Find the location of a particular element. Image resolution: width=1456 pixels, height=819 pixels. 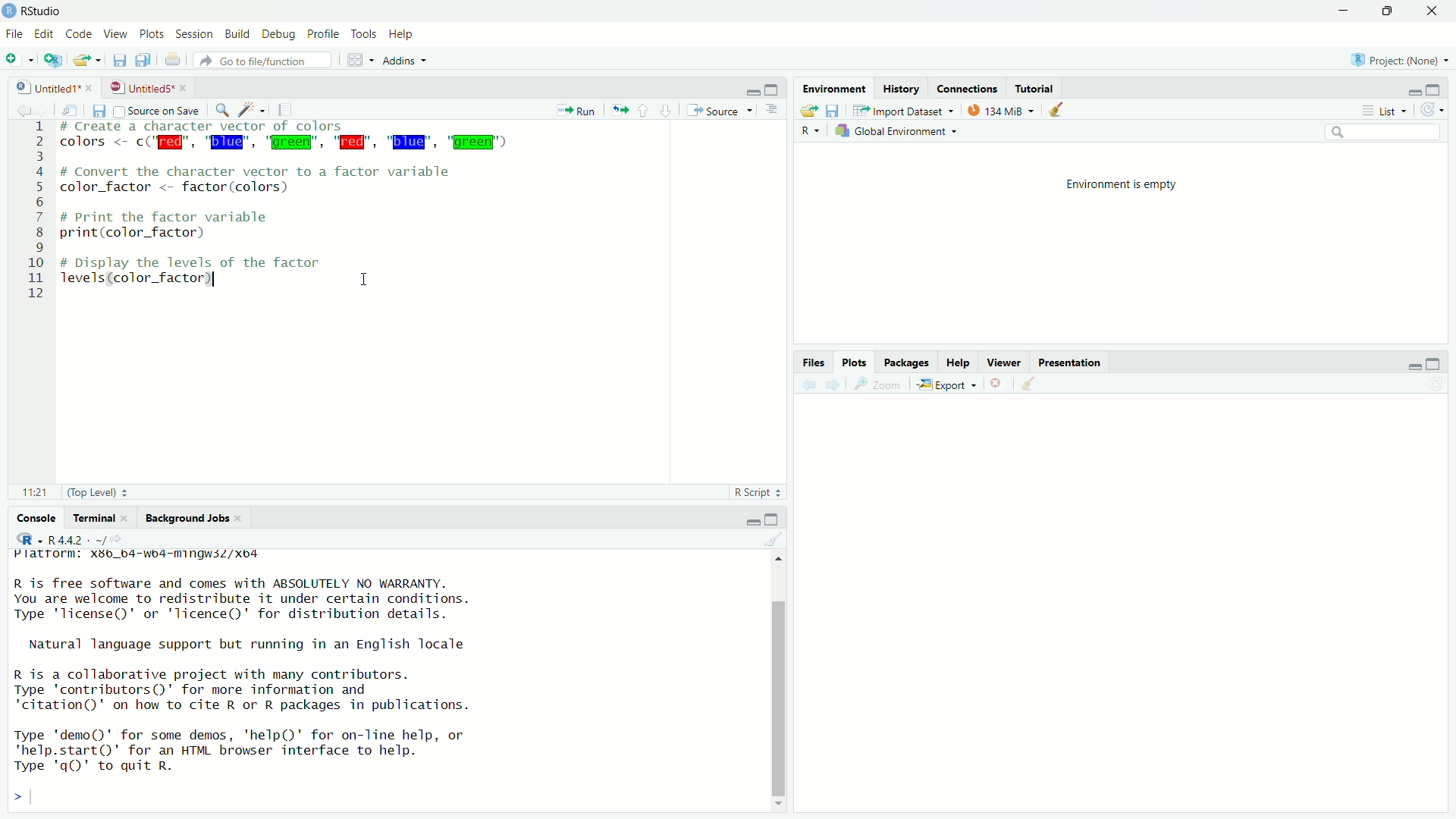

re-run the previous code region is located at coordinates (620, 111).